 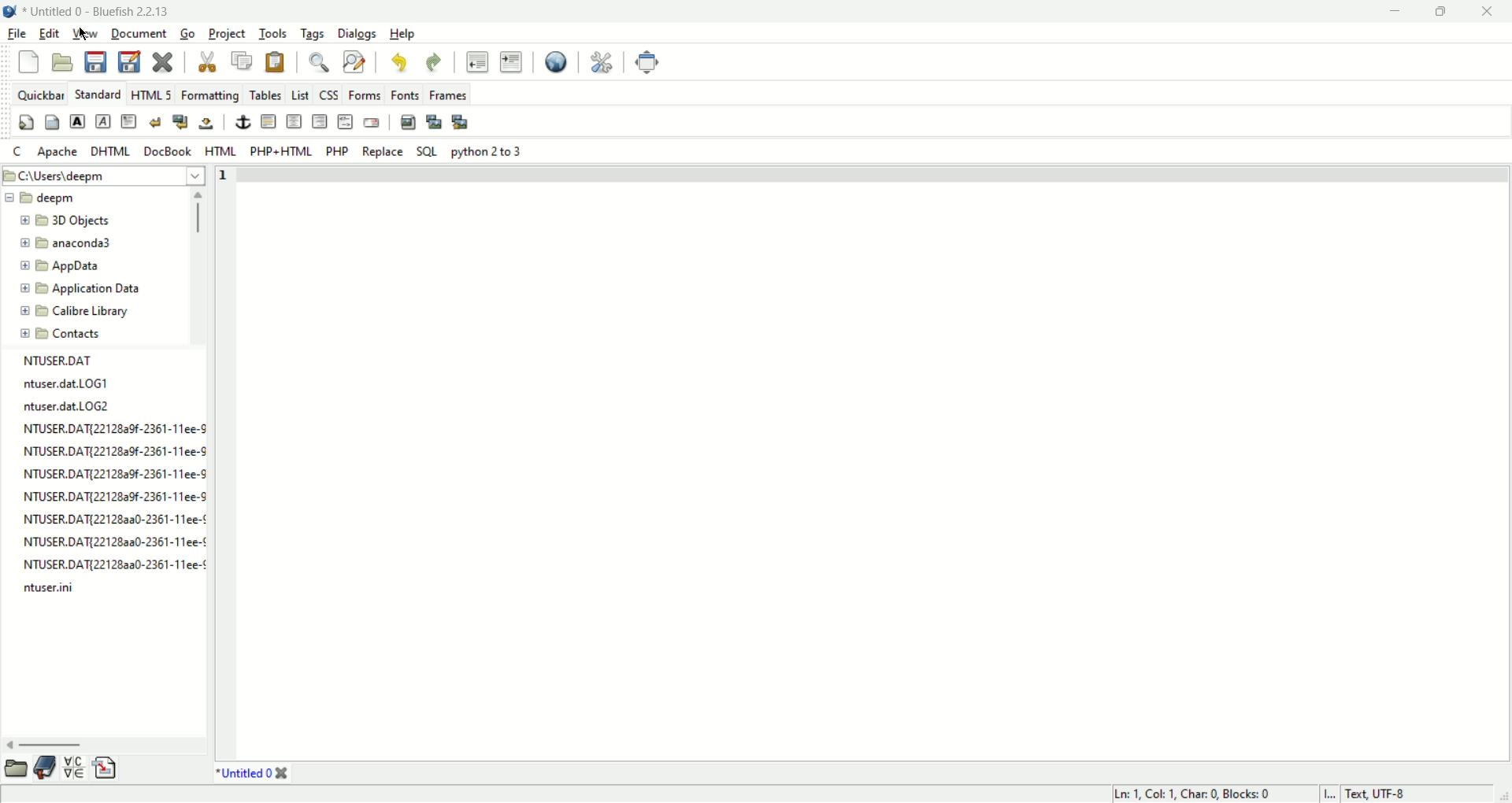 What do you see at coordinates (346, 121) in the screenshot?
I see `HTML Comment` at bounding box center [346, 121].